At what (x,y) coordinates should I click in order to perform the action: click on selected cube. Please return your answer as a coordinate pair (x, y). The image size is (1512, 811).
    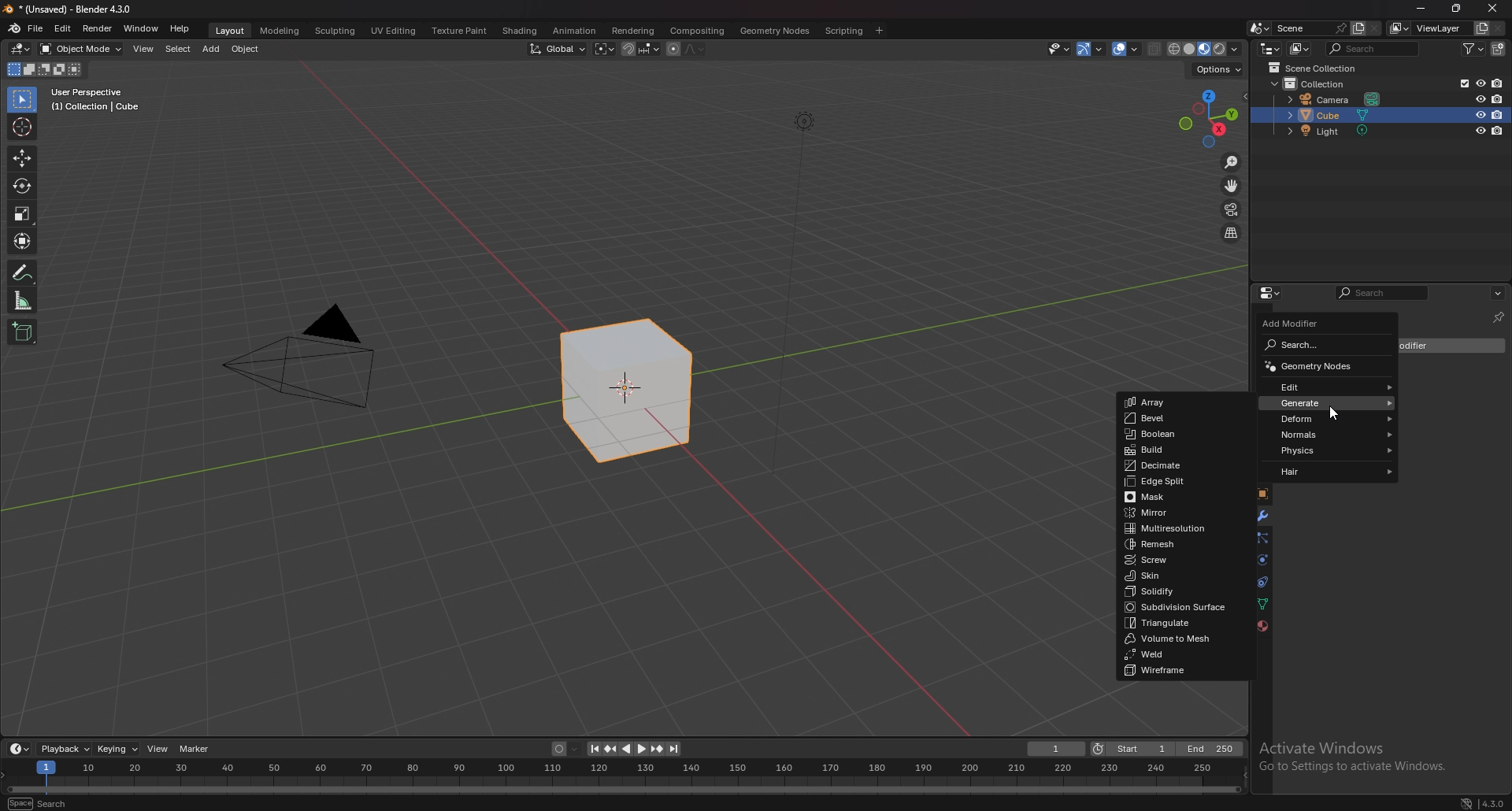
    Looking at the image, I should click on (631, 389).